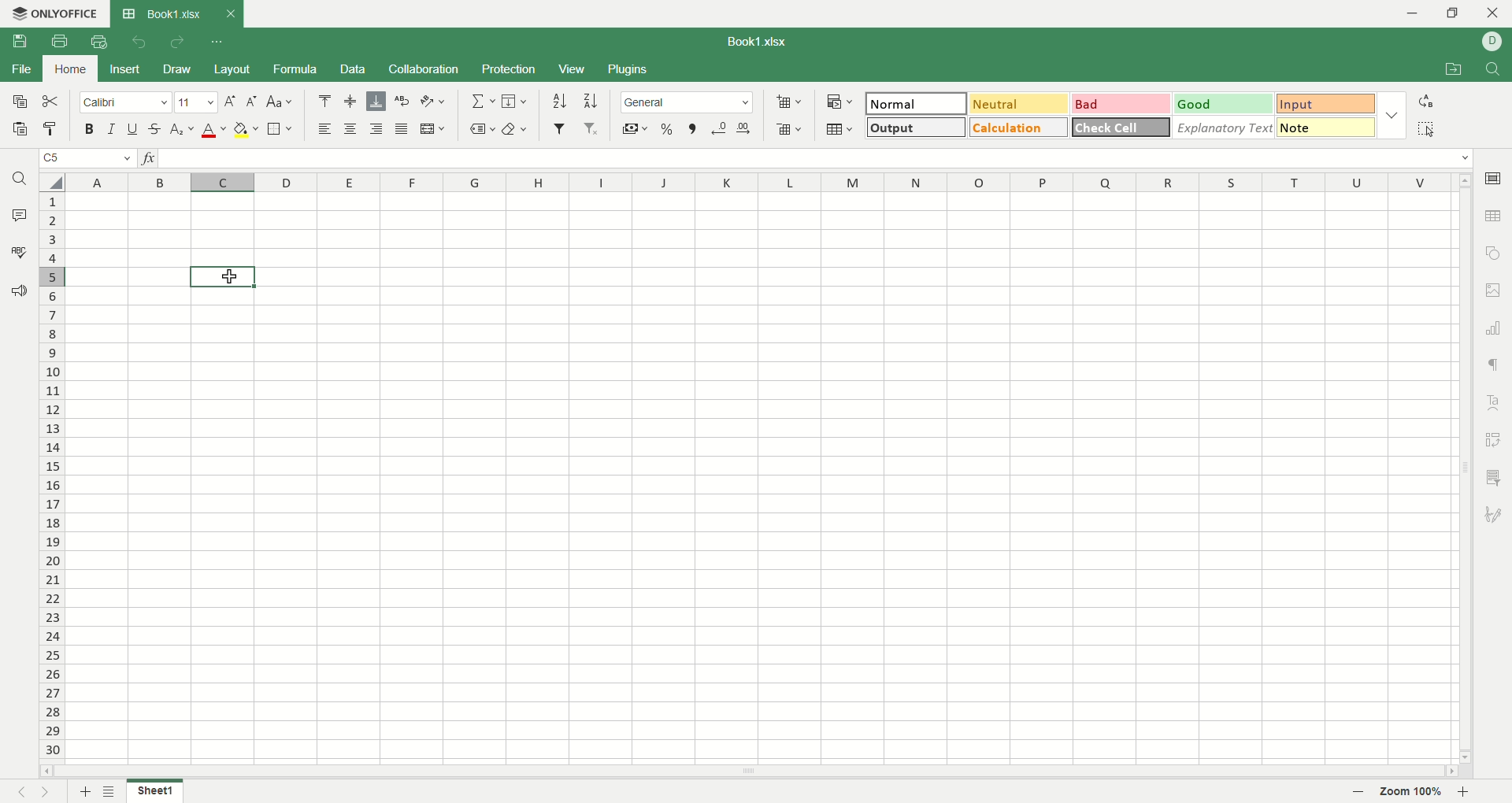 This screenshot has height=803, width=1512. Describe the element at coordinates (434, 128) in the screenshot. I see `merge and center` at that location.